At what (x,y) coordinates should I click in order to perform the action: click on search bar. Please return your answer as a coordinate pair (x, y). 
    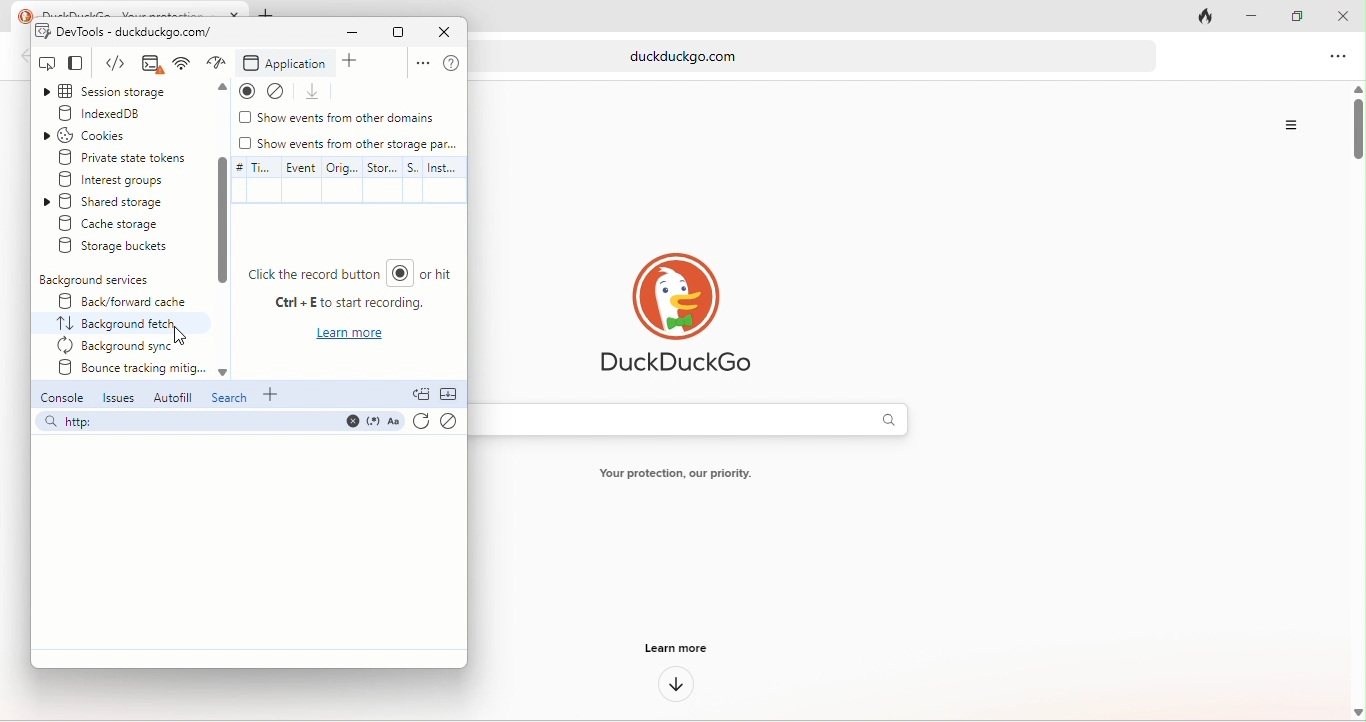
    Looking at the image, I should click on (700, 419).